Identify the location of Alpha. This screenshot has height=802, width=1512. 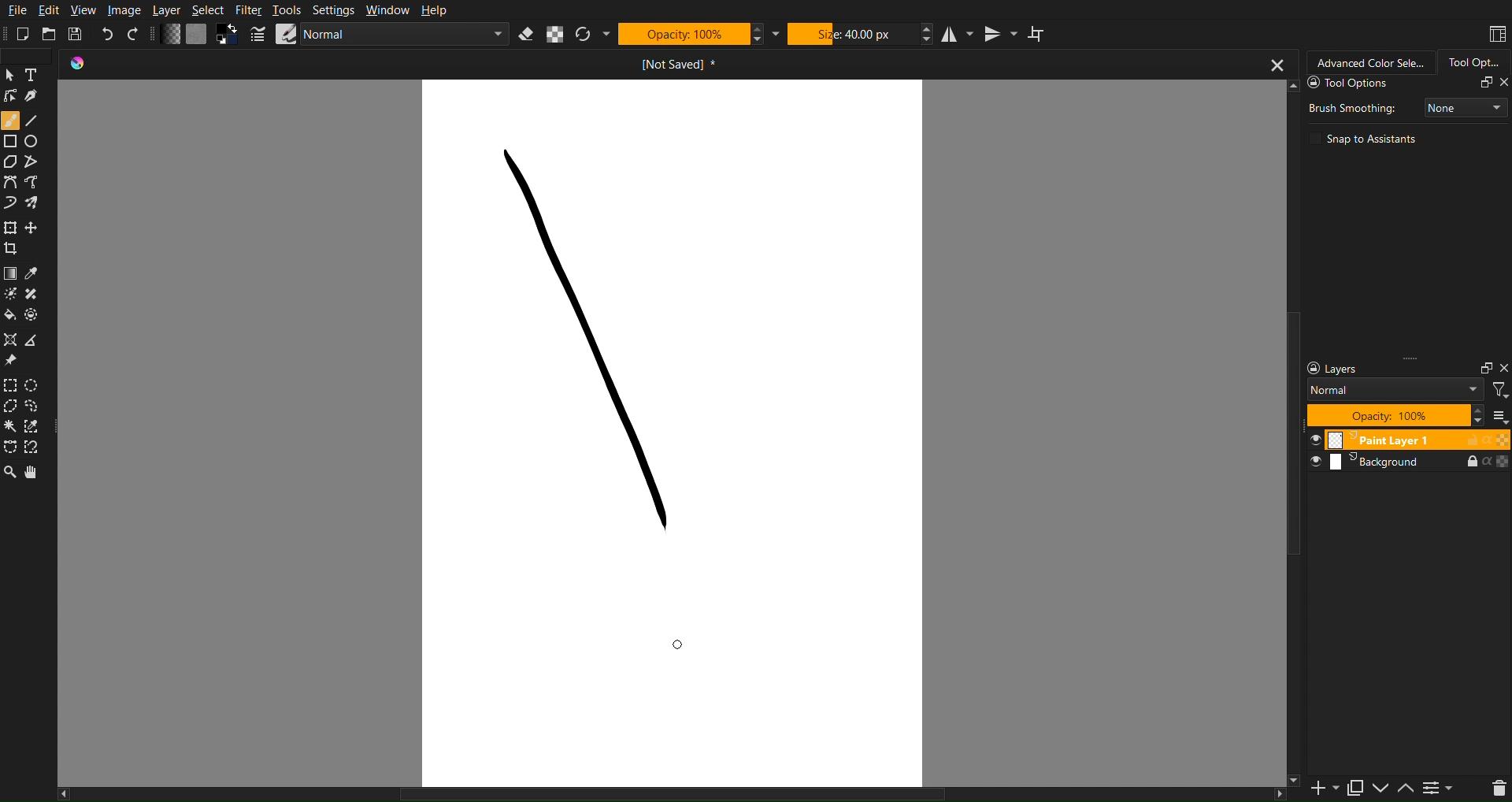
(556, 34).